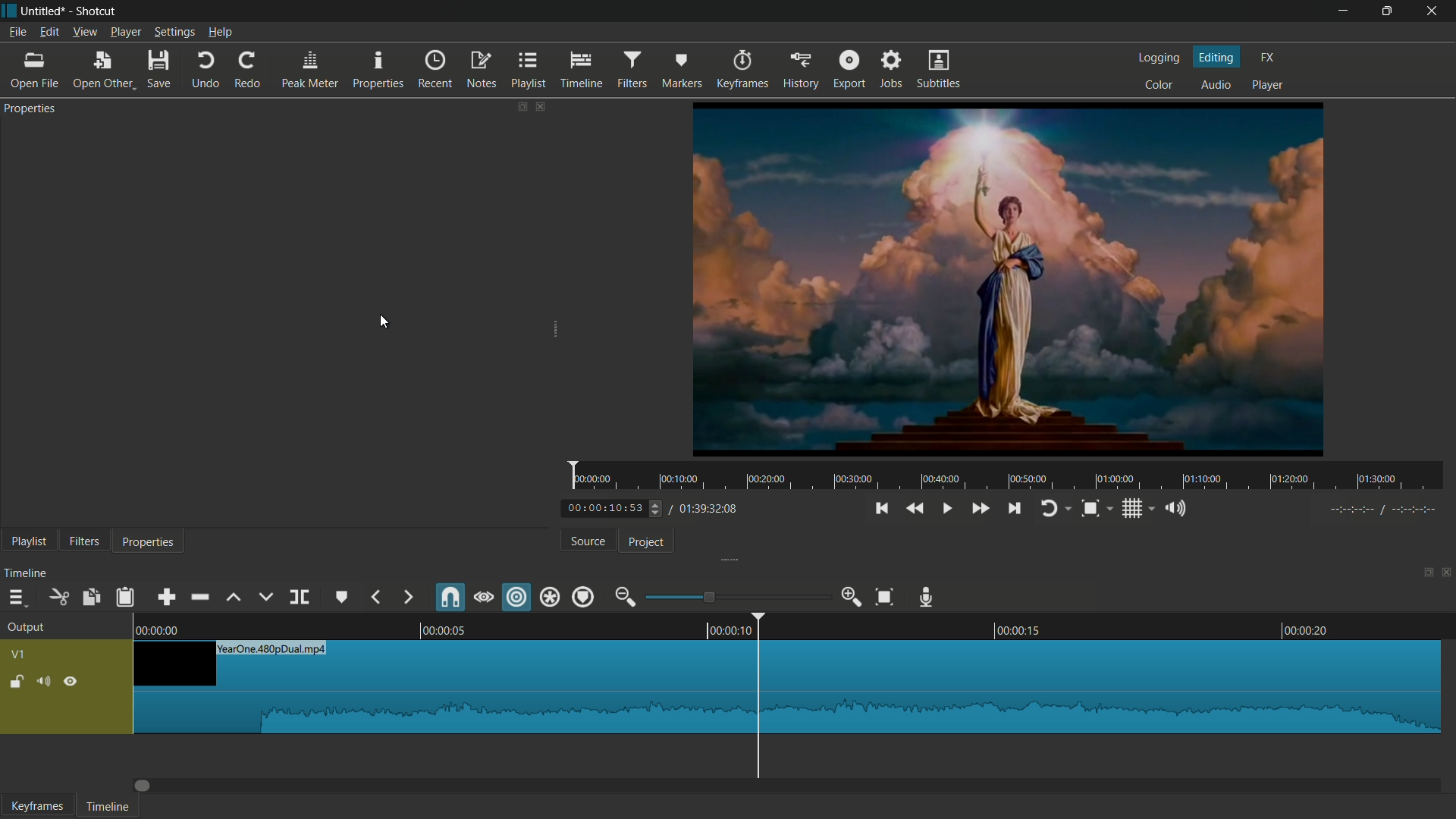 The width and height of the screenshot is (1456, 819). I want to click on editing, so click(1216, 56).